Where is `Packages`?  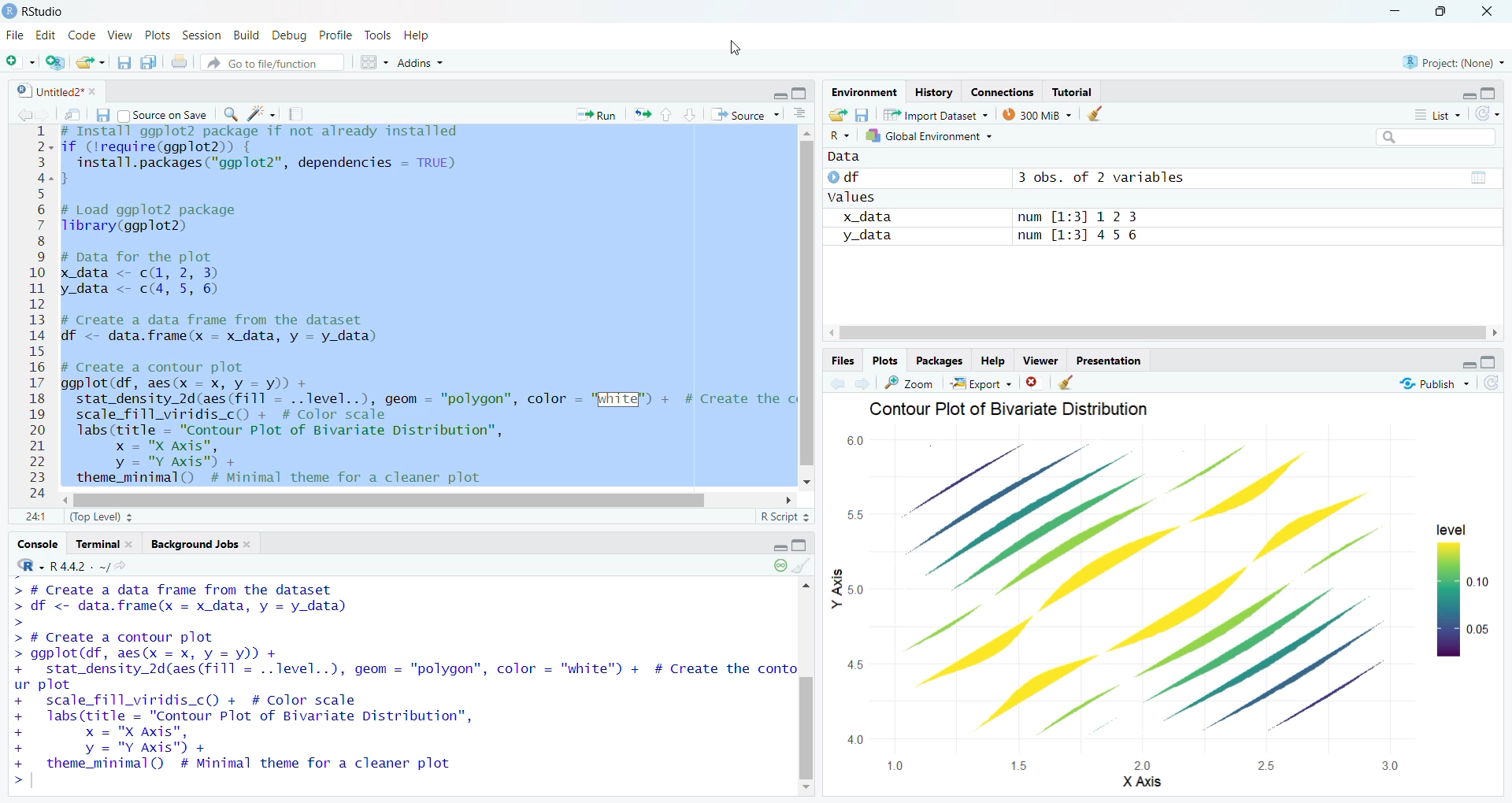 Packages is located at coordinates (938, 361).